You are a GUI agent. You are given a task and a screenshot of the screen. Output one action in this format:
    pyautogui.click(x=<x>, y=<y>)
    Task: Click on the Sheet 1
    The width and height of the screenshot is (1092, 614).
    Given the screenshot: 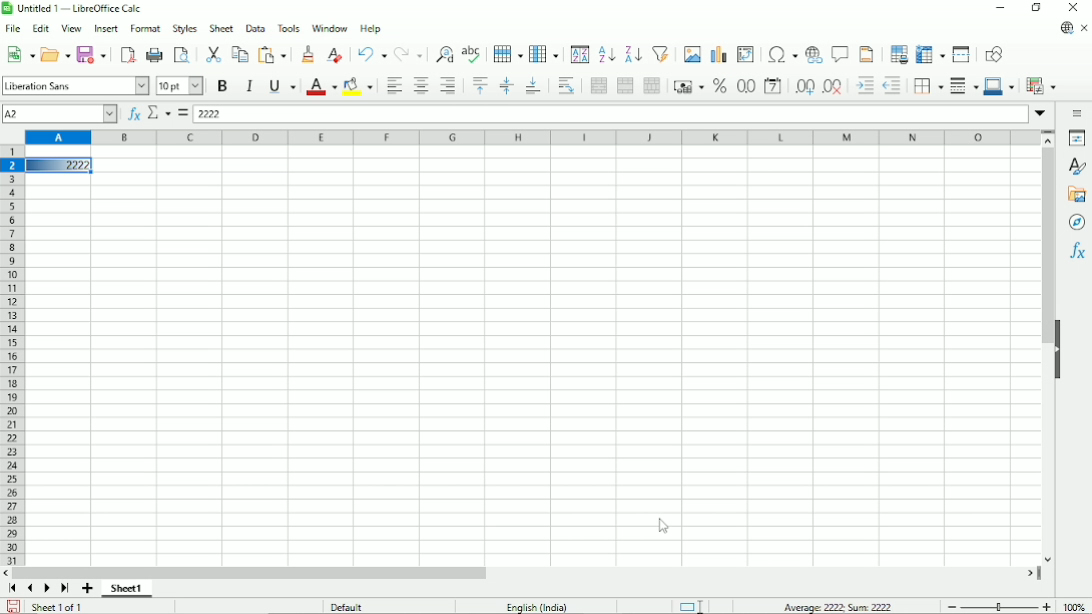 What is the action you would take?
    pyautogui.click(x=127, y=589)
    